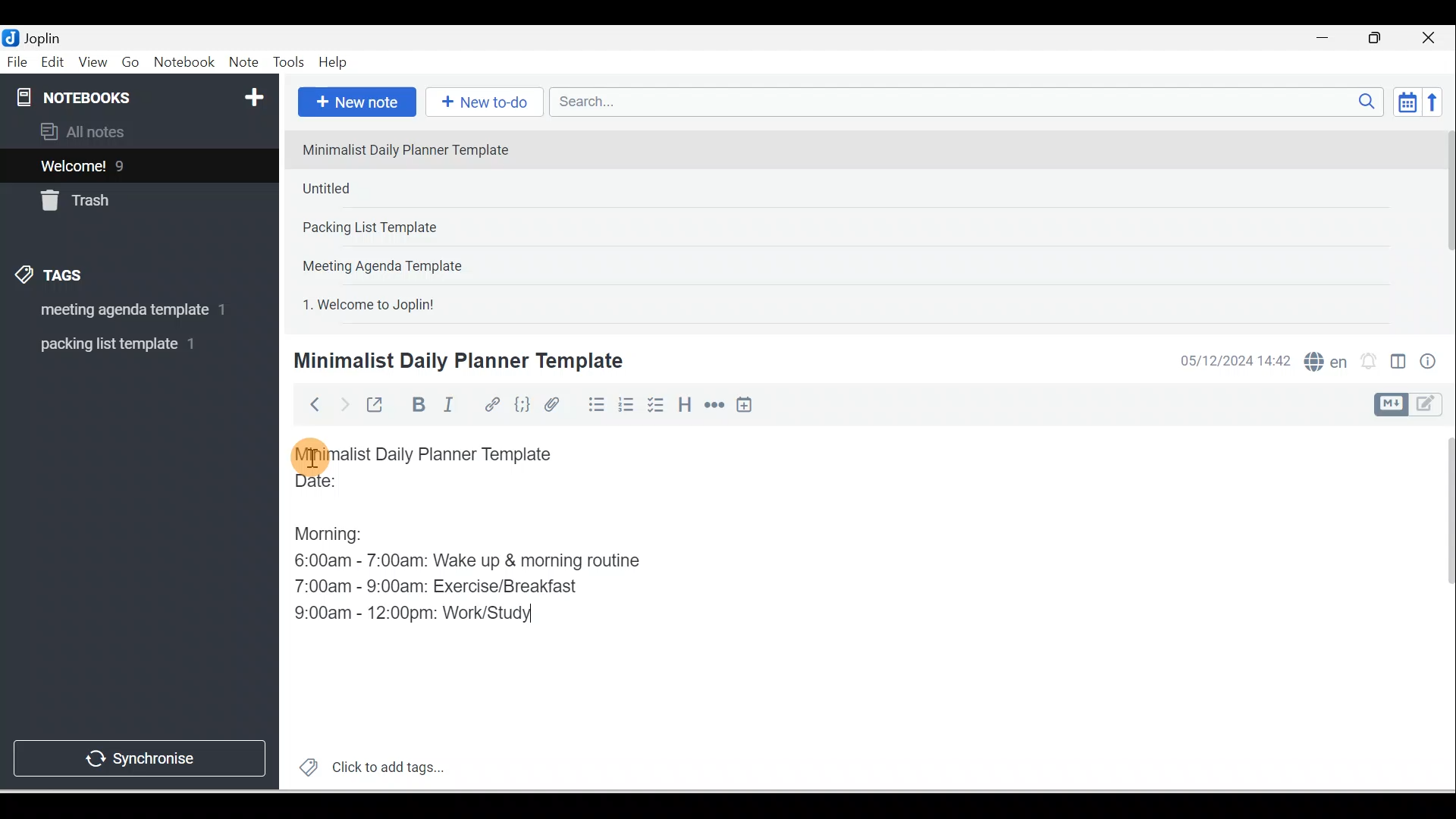 The width and height of the screenshot is (1456, 819). Describe the element at coordinates (366, 765) in the screenshot. I see `Click to add tags` at that location.